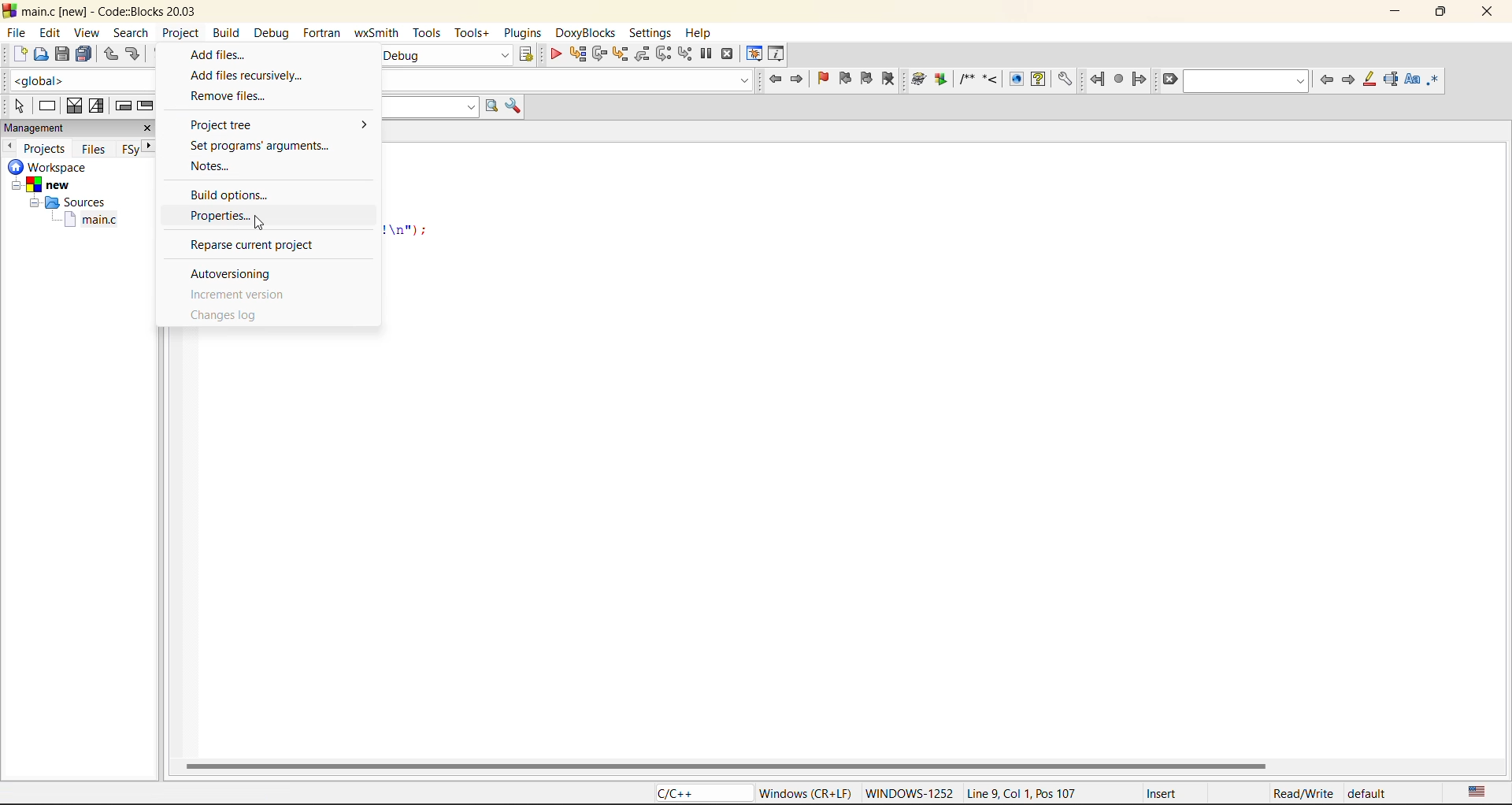  I want to click on tools+, so click(471, 32).